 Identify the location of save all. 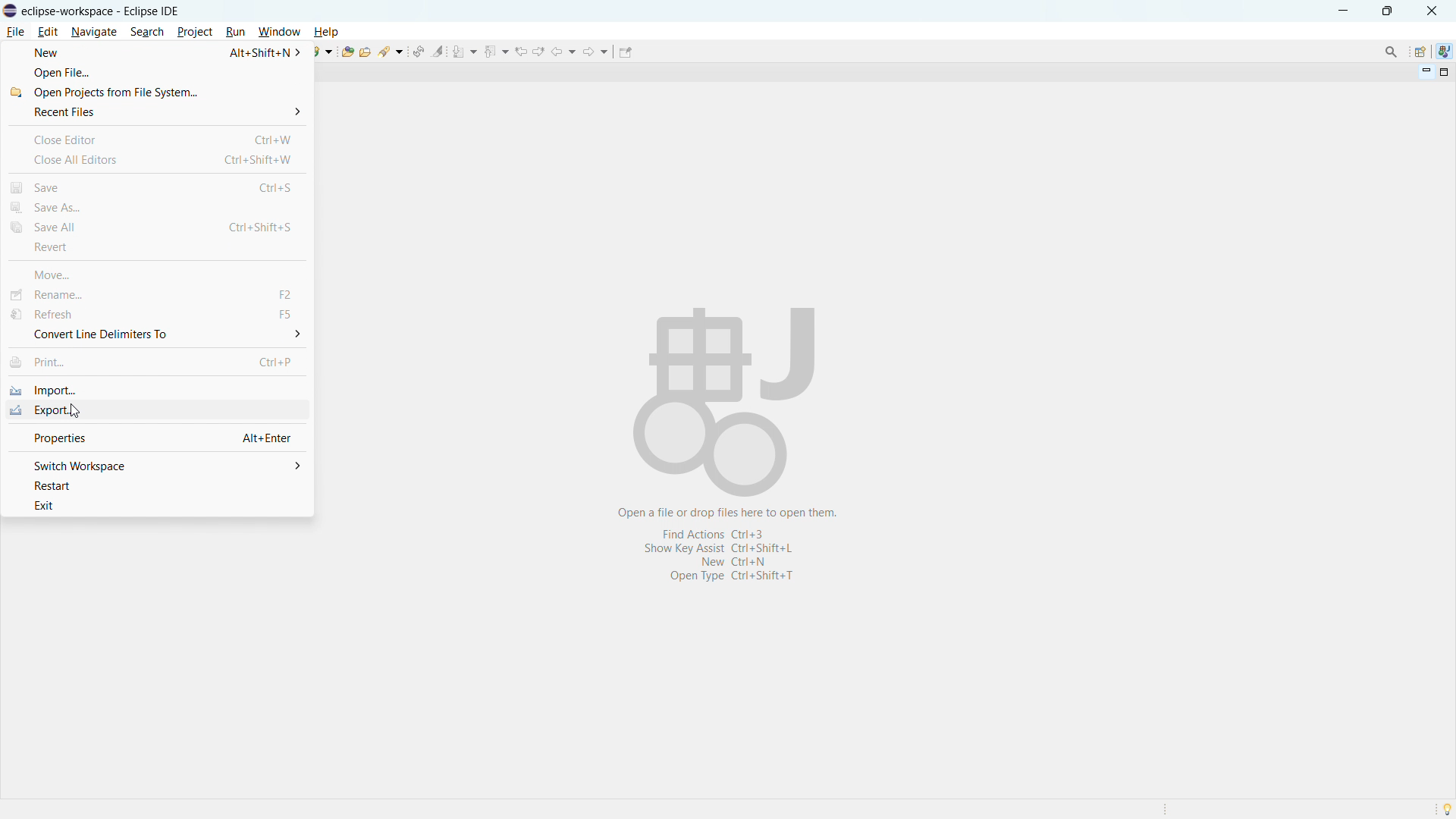
(156, 227).